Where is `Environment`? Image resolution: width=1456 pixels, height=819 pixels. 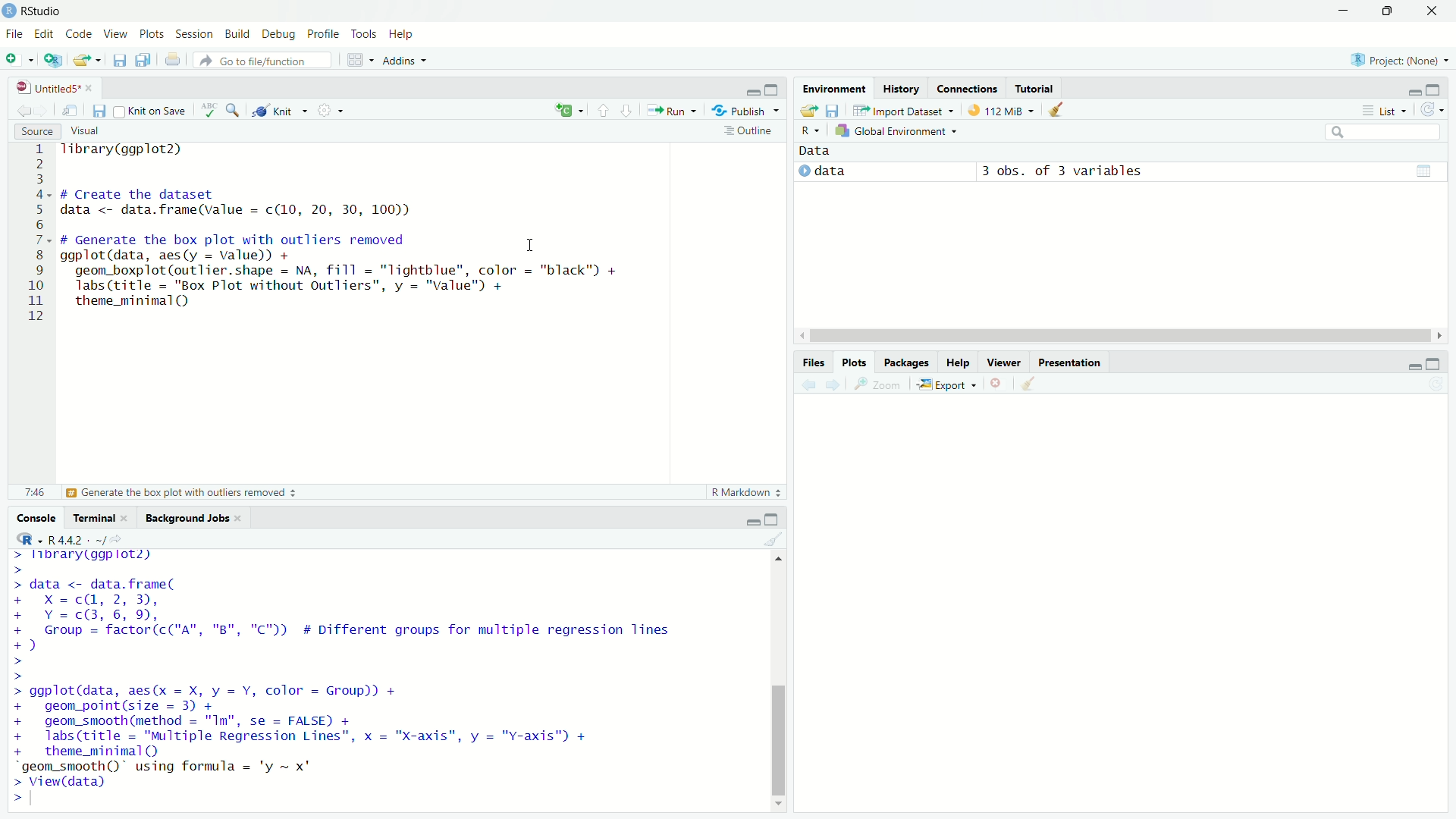
Environment is located at coordinates (832, 88).